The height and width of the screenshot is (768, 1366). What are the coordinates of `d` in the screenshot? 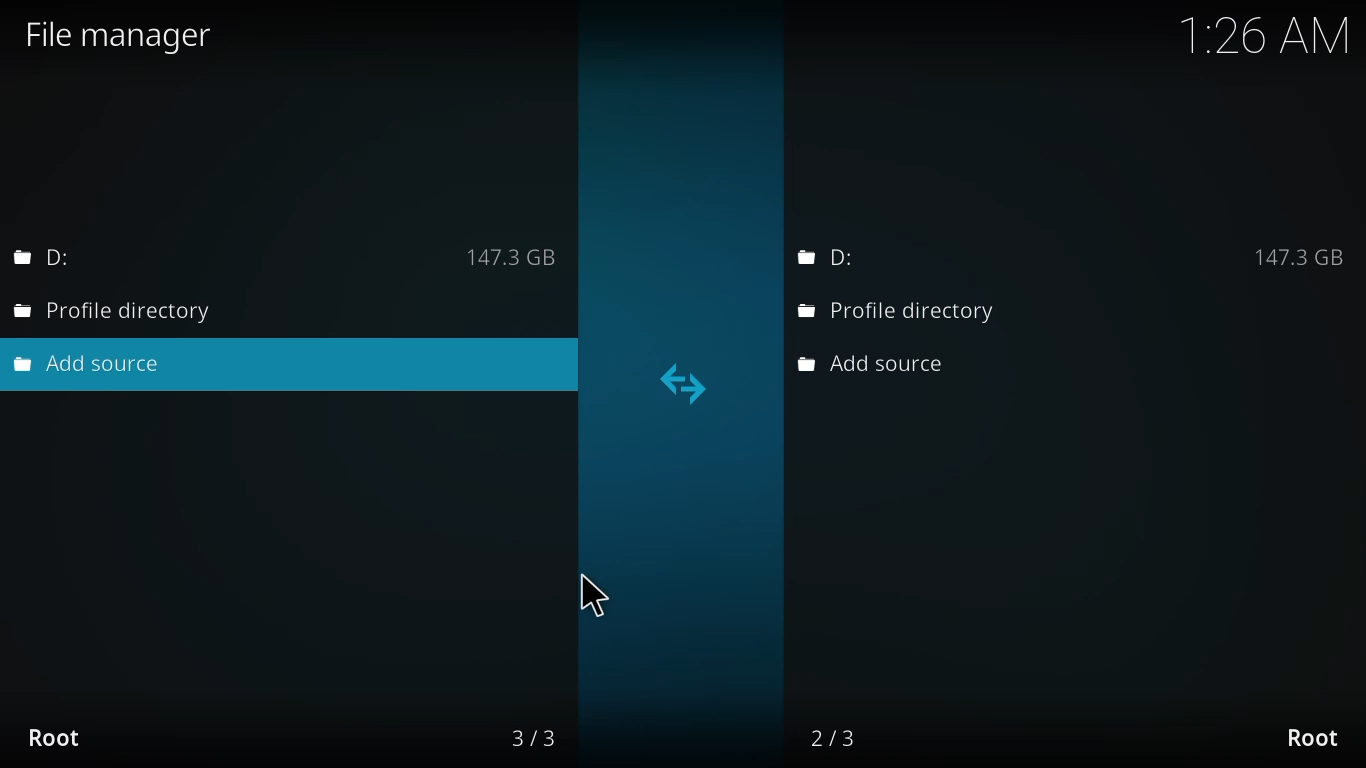 It's located at (829, 255).